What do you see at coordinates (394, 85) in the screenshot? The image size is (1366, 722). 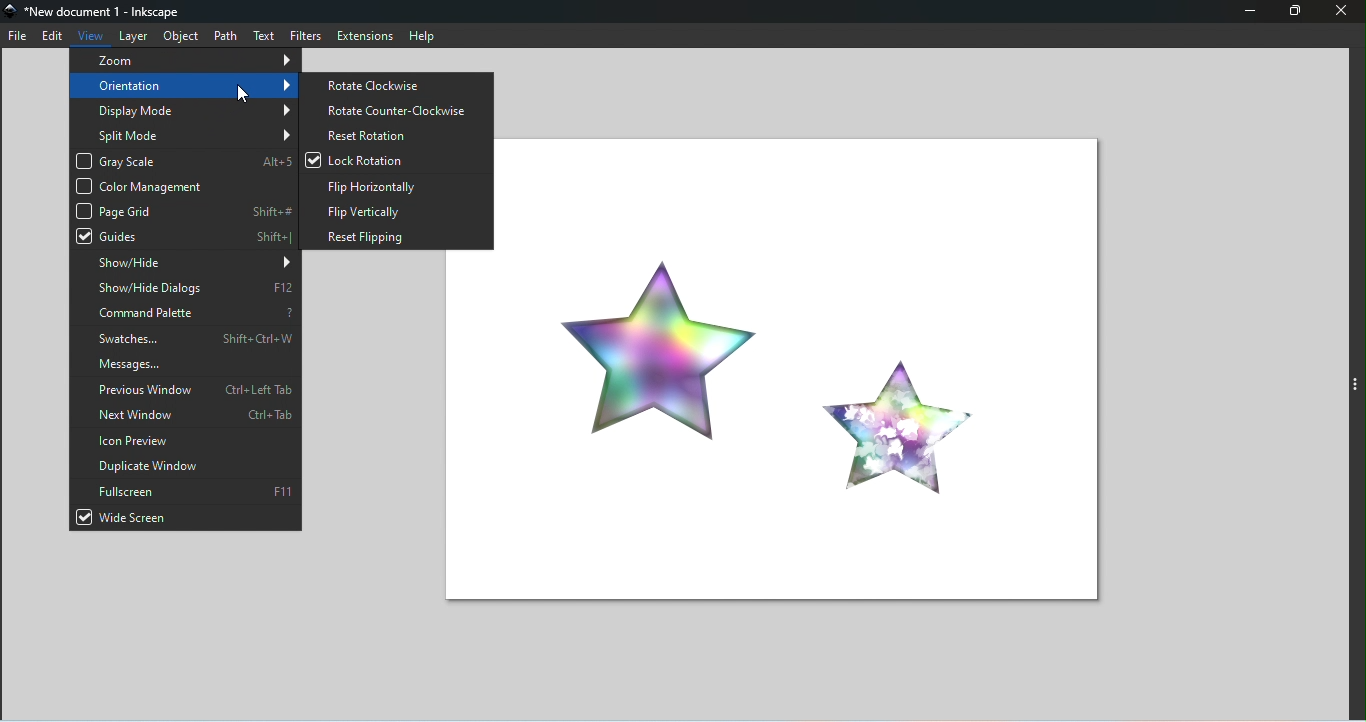 I see `Rotate clockwise` at bounding box center [394, 85].